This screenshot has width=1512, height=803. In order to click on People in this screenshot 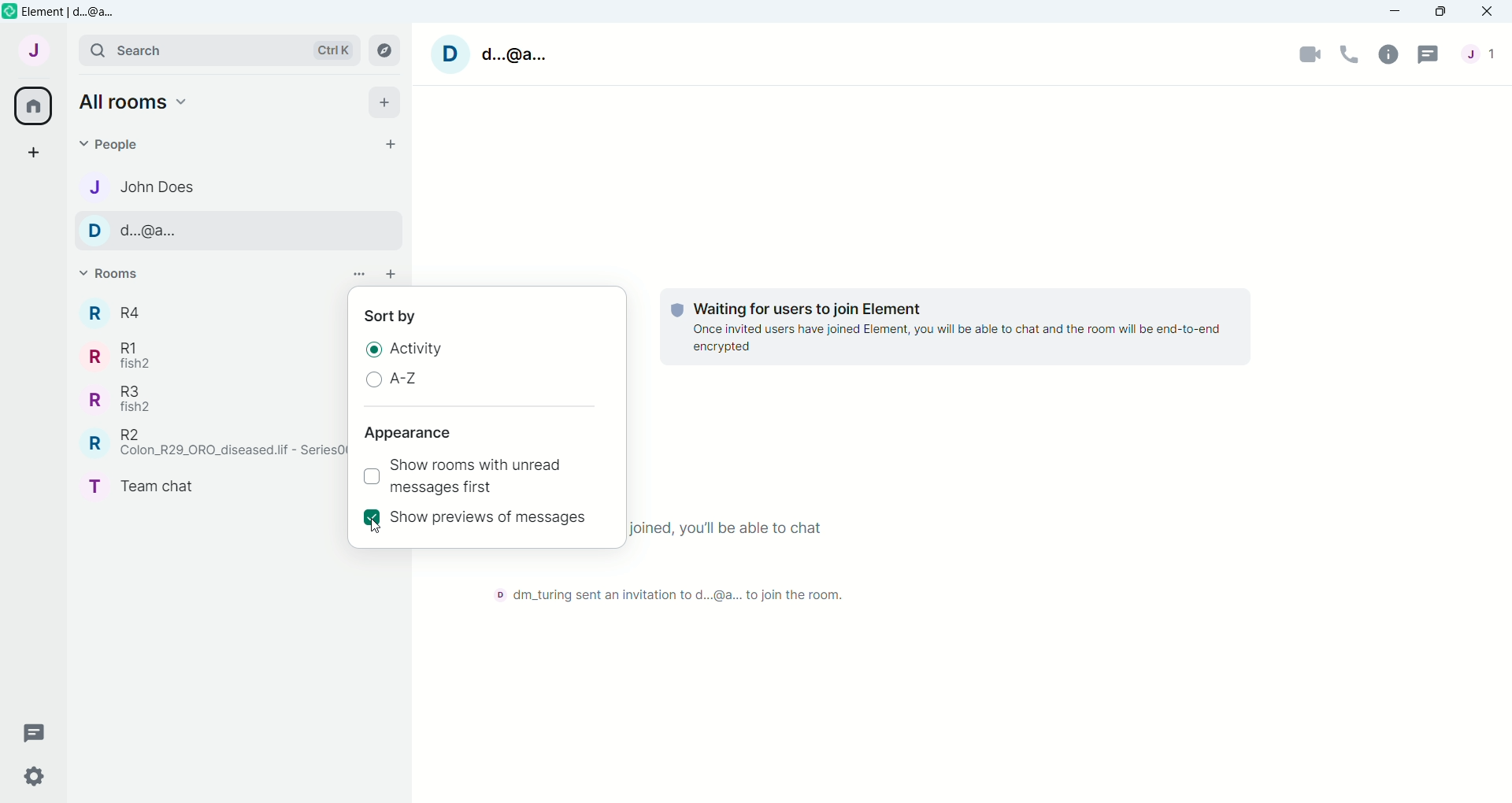, I will do `click(117, 144)`.